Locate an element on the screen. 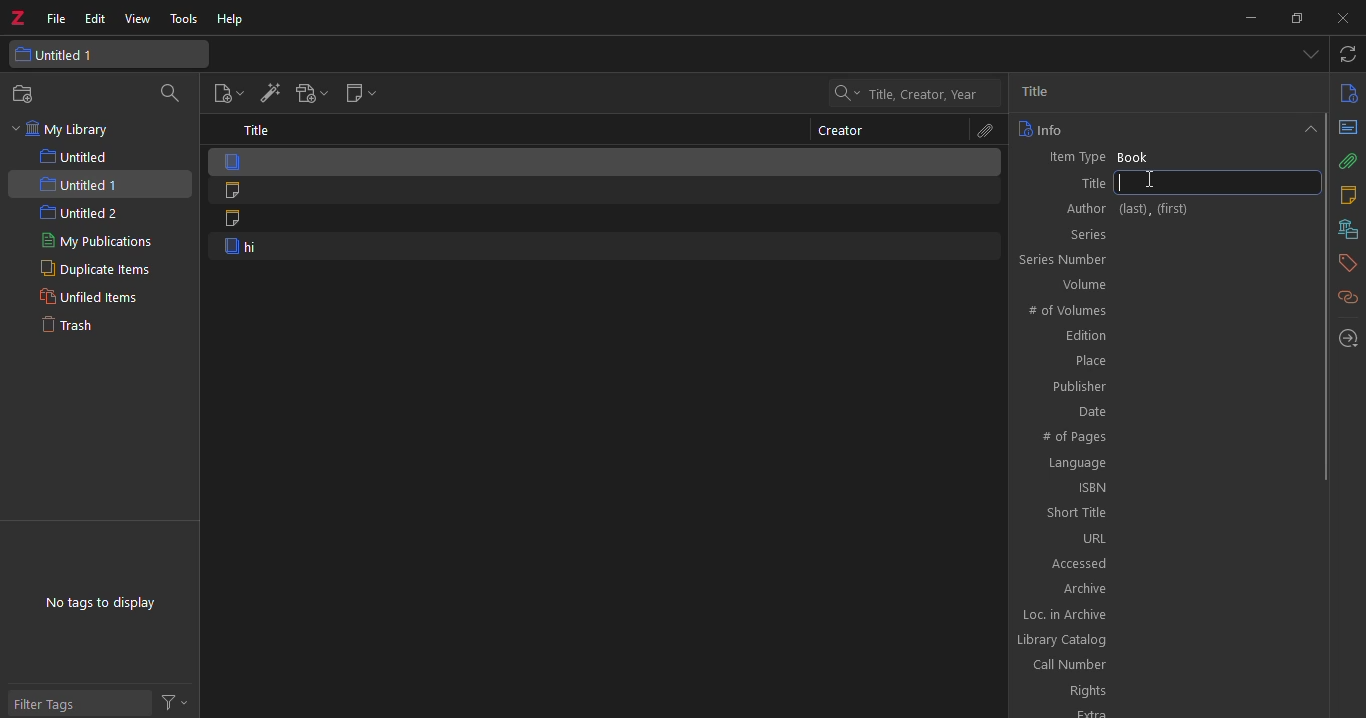 This screenshot has width=1366, height=718. untitled is located at coordinates (84, 157).